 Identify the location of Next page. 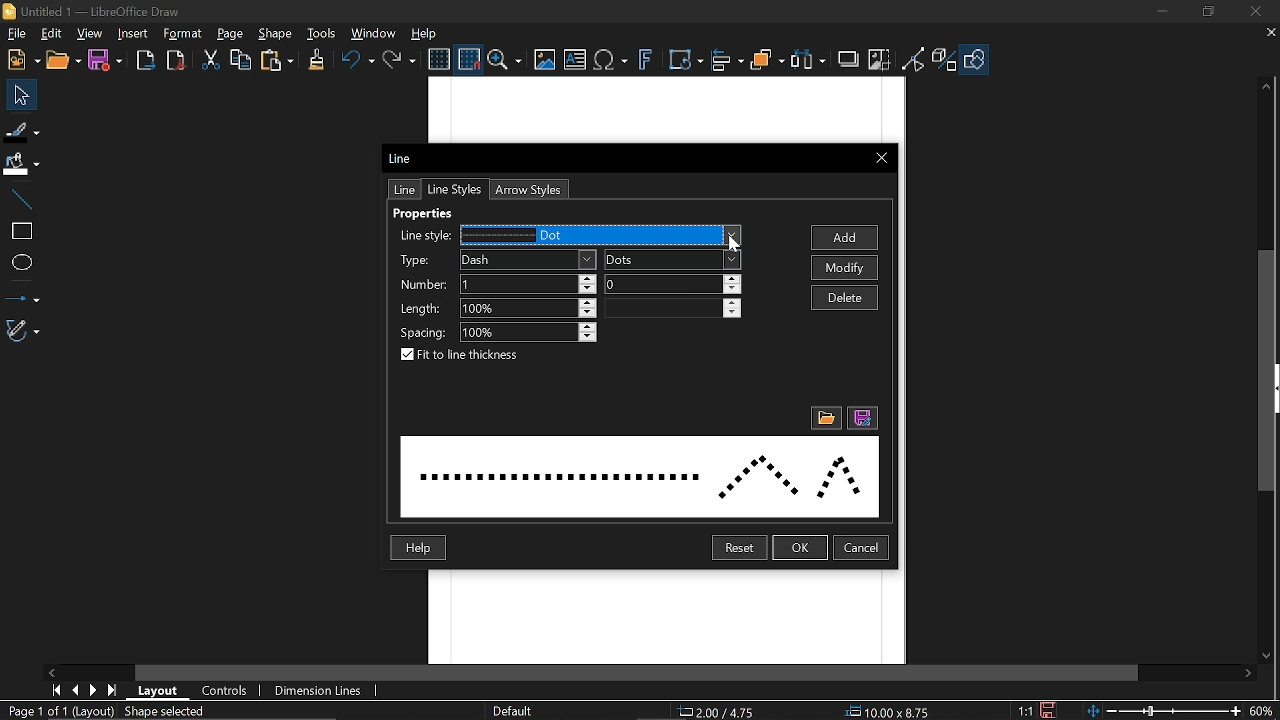
(97, 689).